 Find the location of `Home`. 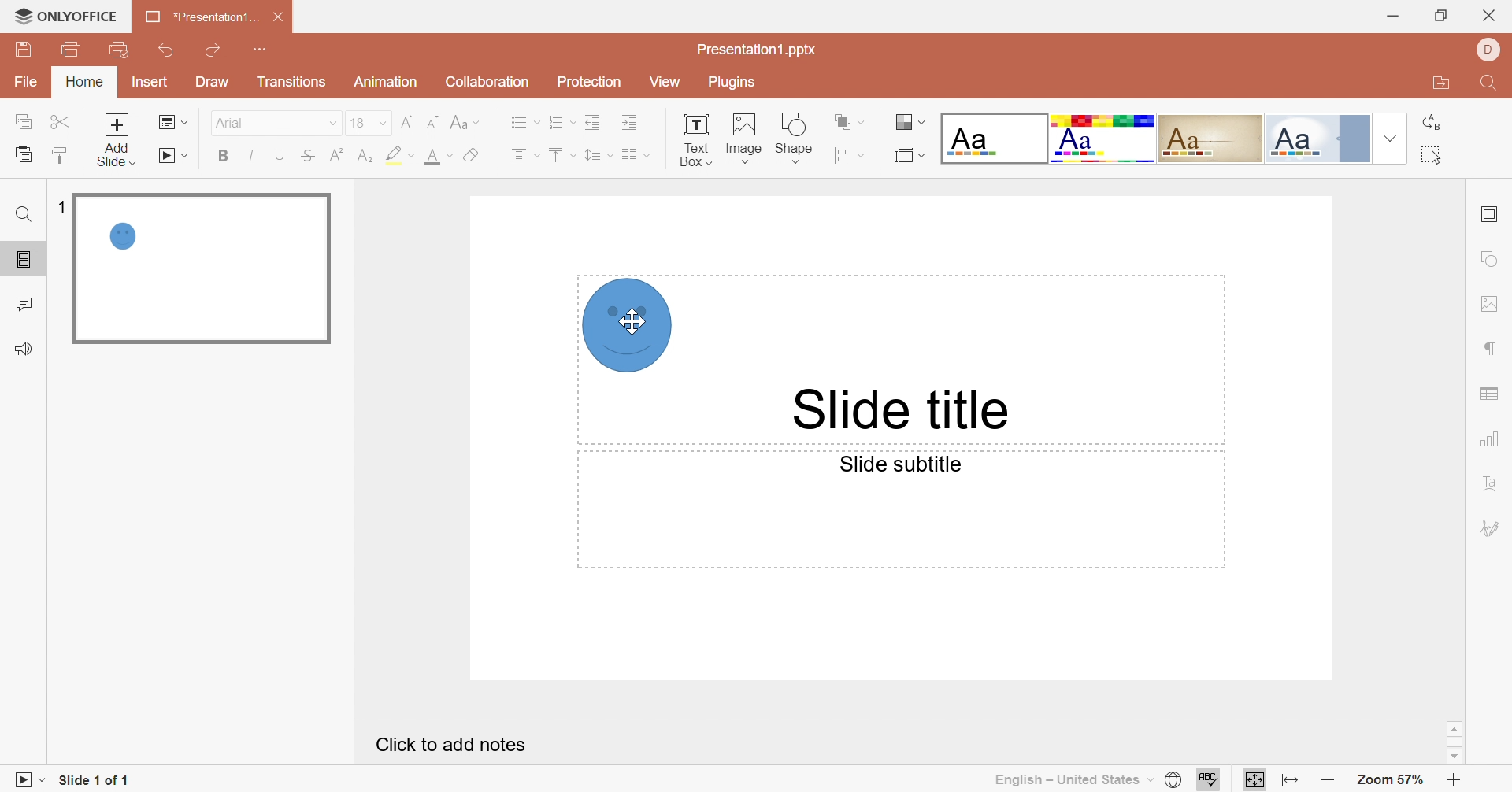

Home is located at coordinates (86, 81).